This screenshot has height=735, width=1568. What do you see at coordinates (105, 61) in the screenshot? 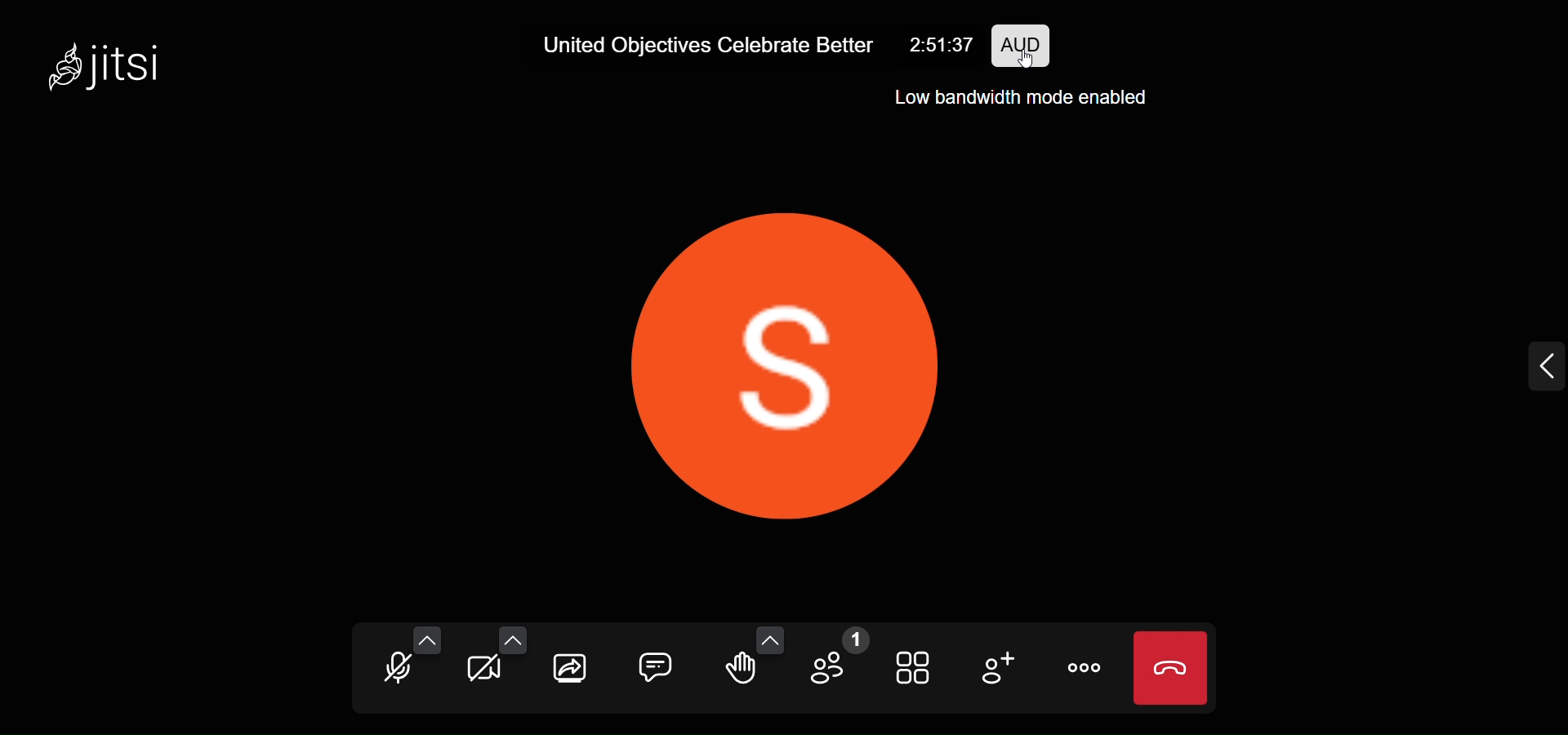
I see `jitsi` at bounding box center [105, 61].